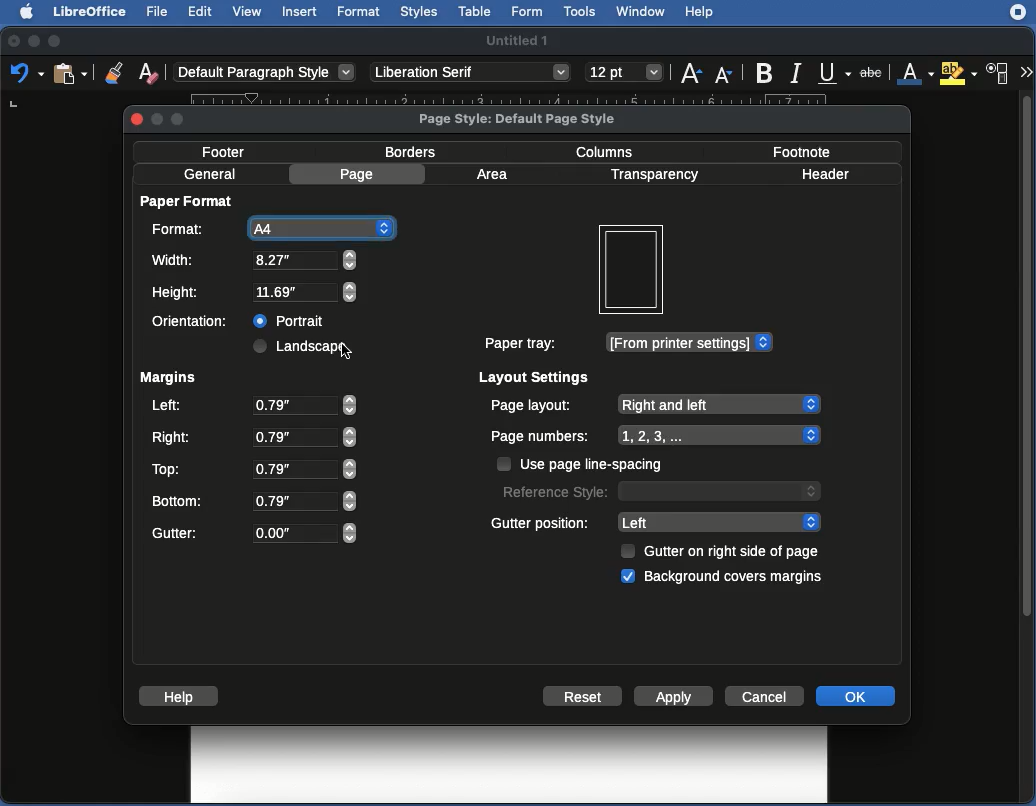 The width and height of the screenshot is (1036, 806). I want to click on 0.79", so click(304, 405).